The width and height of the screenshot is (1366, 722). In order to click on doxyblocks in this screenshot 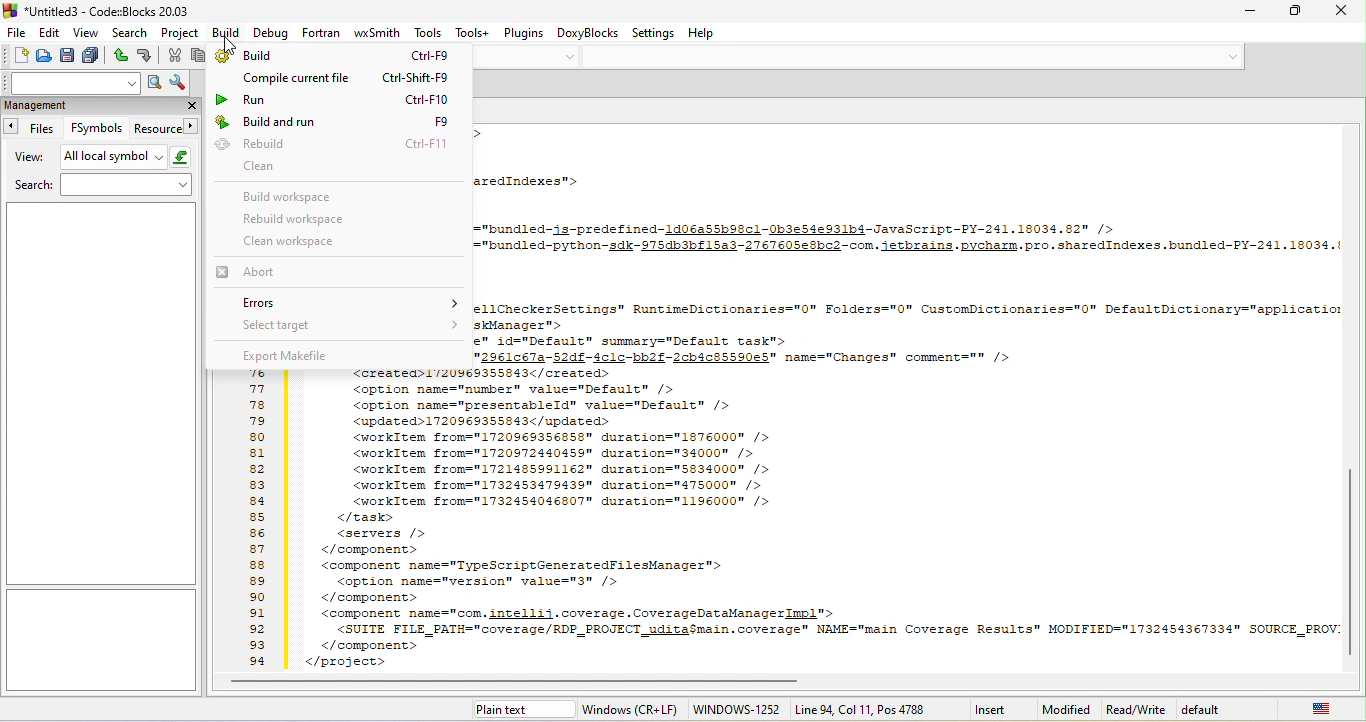, I will do `click(591, 33)`.